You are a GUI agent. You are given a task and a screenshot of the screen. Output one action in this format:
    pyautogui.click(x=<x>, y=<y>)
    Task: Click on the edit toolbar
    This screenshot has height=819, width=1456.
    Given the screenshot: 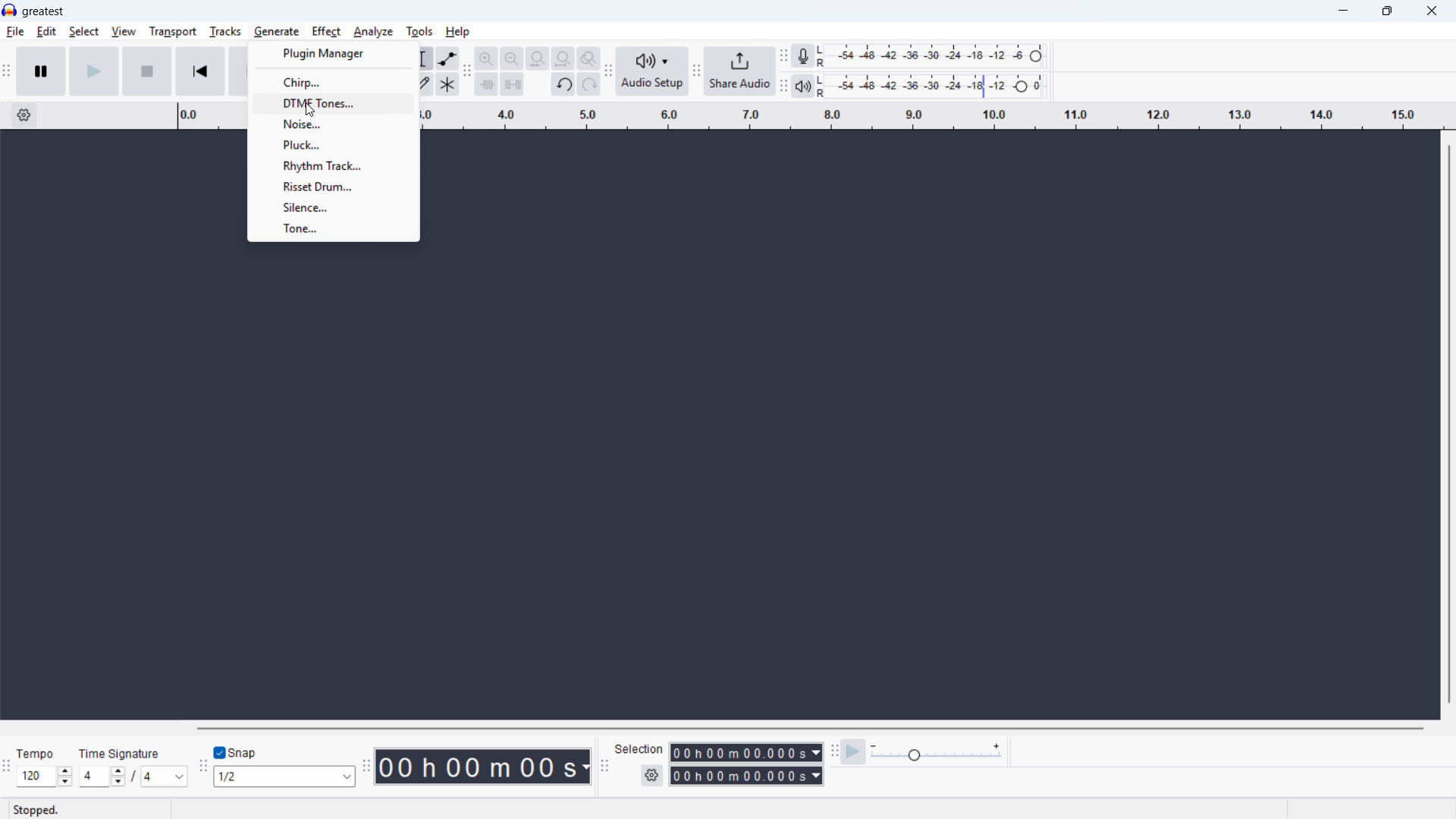 What is the action you would take?
    pyautogui.click(x=468, y=72)
    